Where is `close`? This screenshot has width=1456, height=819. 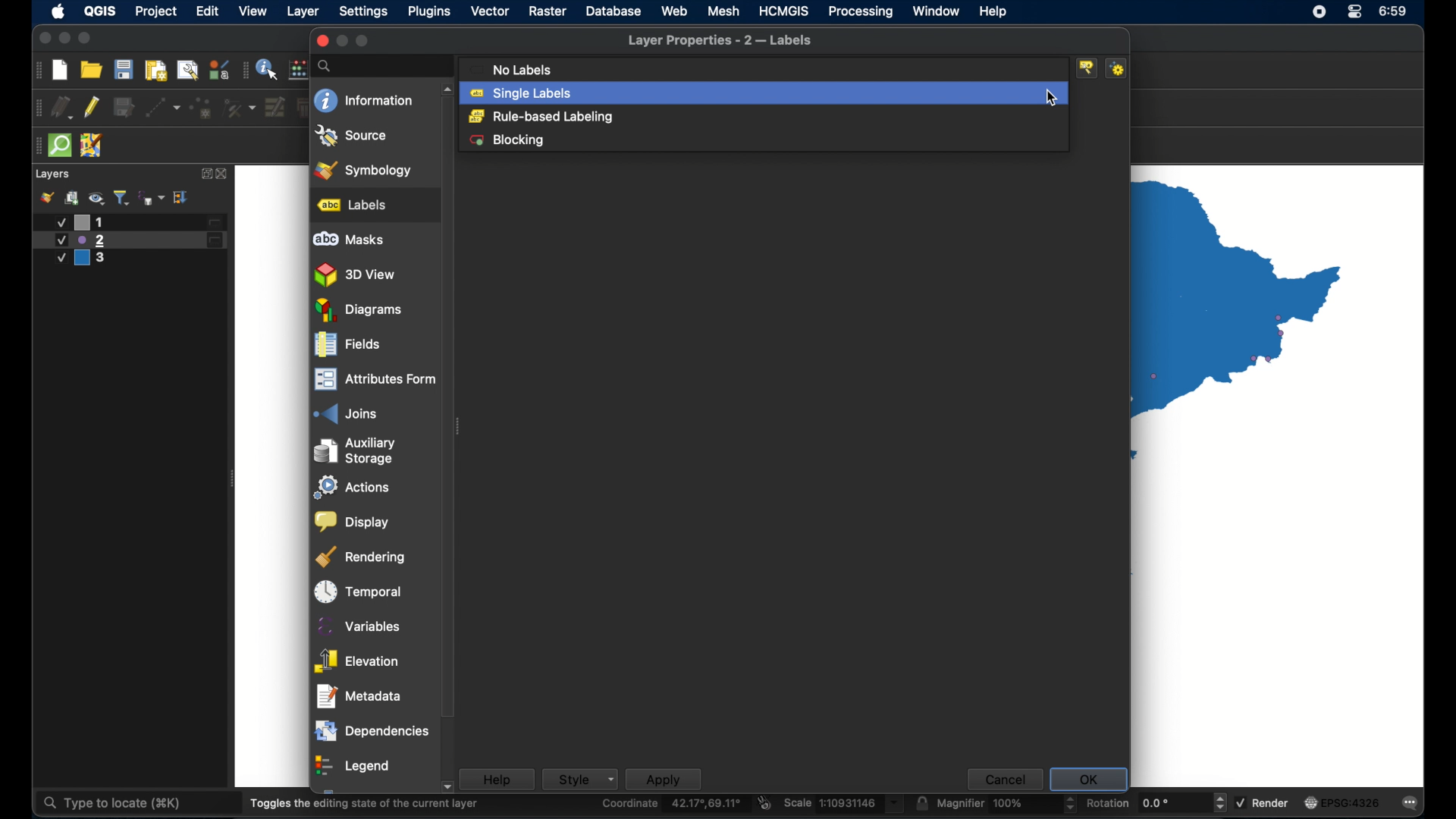 close is located at coordinates (321, 41).